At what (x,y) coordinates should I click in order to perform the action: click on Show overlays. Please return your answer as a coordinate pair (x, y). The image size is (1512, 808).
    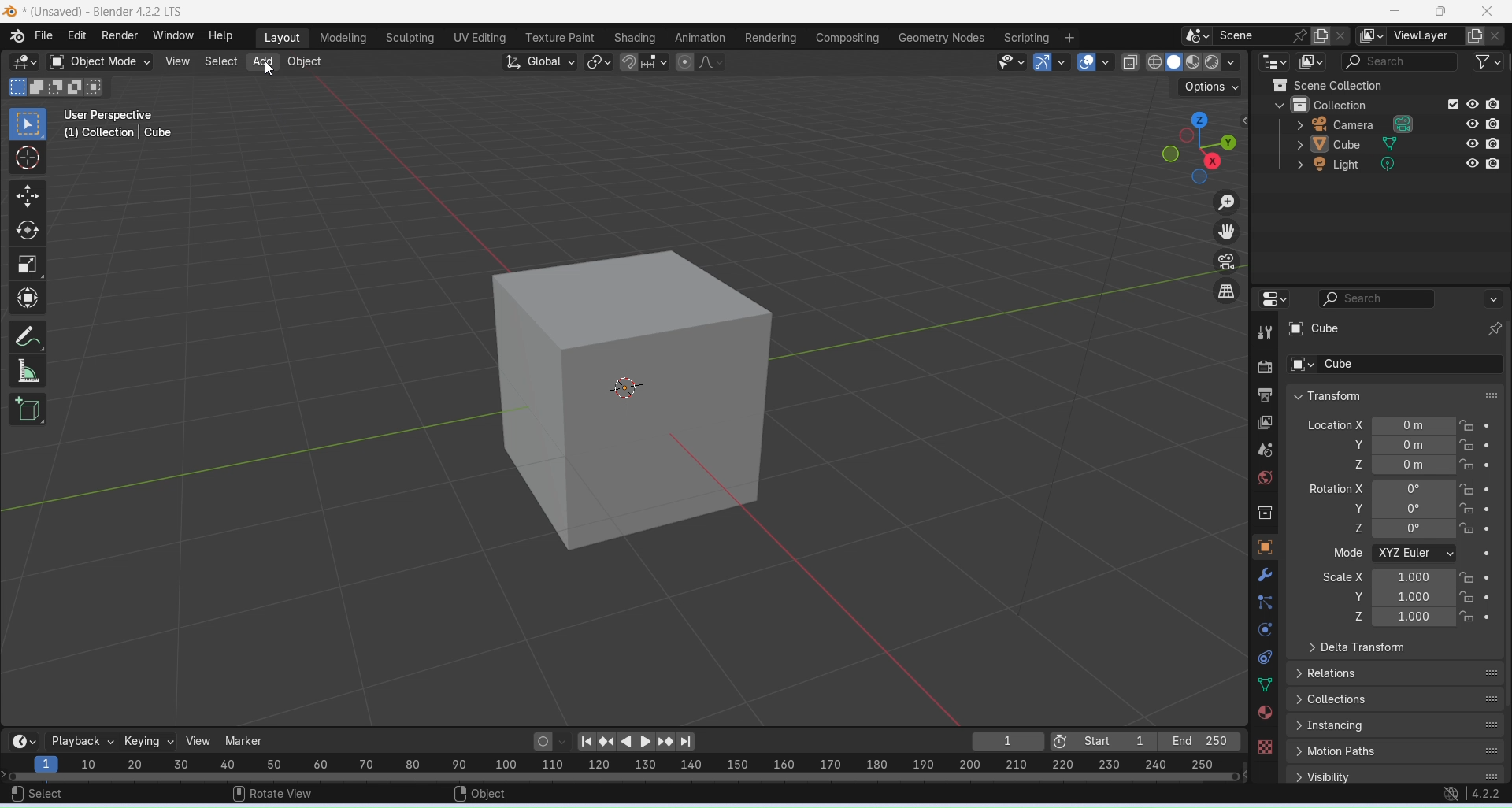
    Looking at the image, I should click on (1094, 62).